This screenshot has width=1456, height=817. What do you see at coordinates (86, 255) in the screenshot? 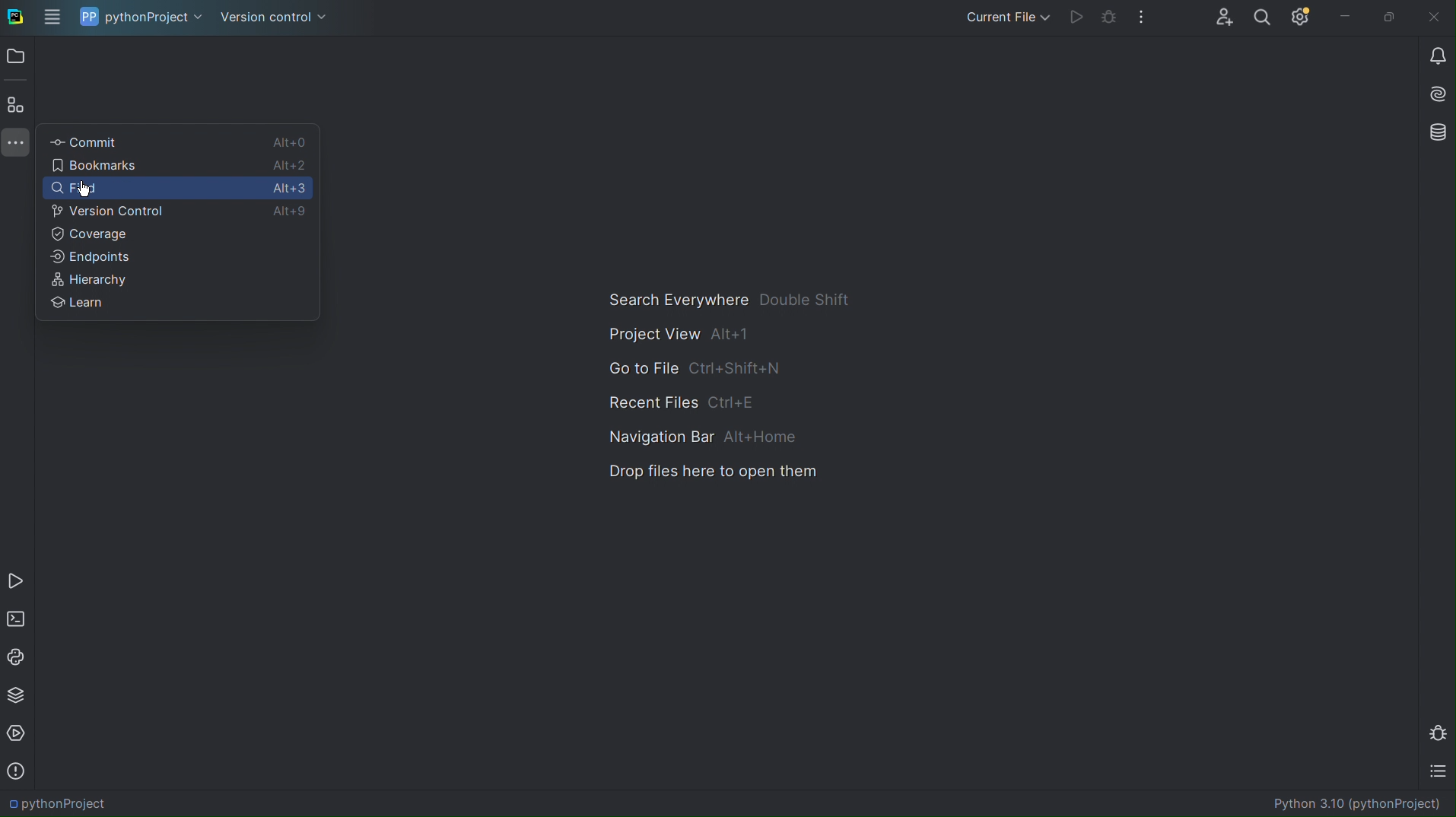
I see `Endpoints` at bounding box center [86, 255].